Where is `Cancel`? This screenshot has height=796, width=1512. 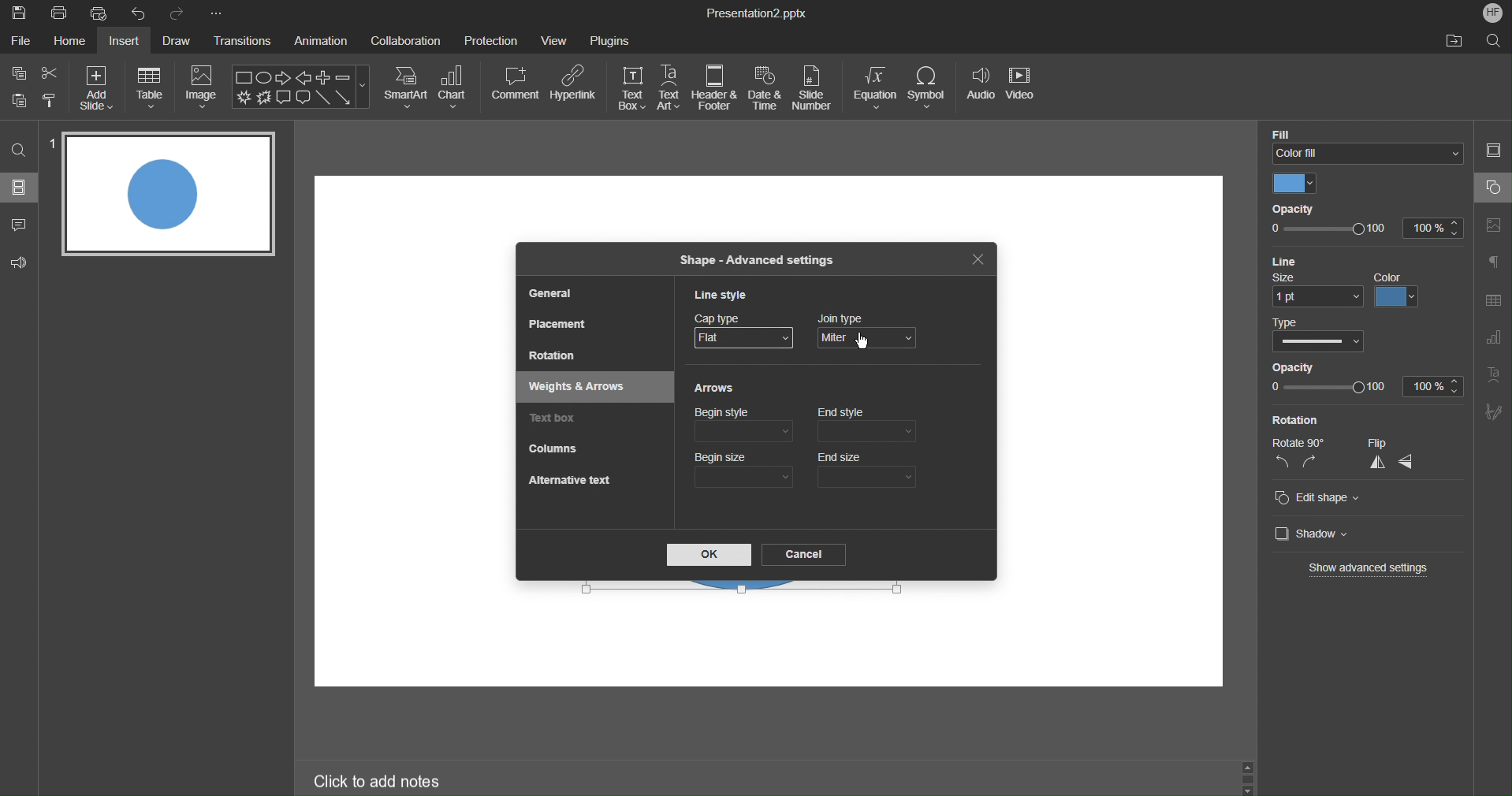 Cancel is located at coordinates (803, 555).